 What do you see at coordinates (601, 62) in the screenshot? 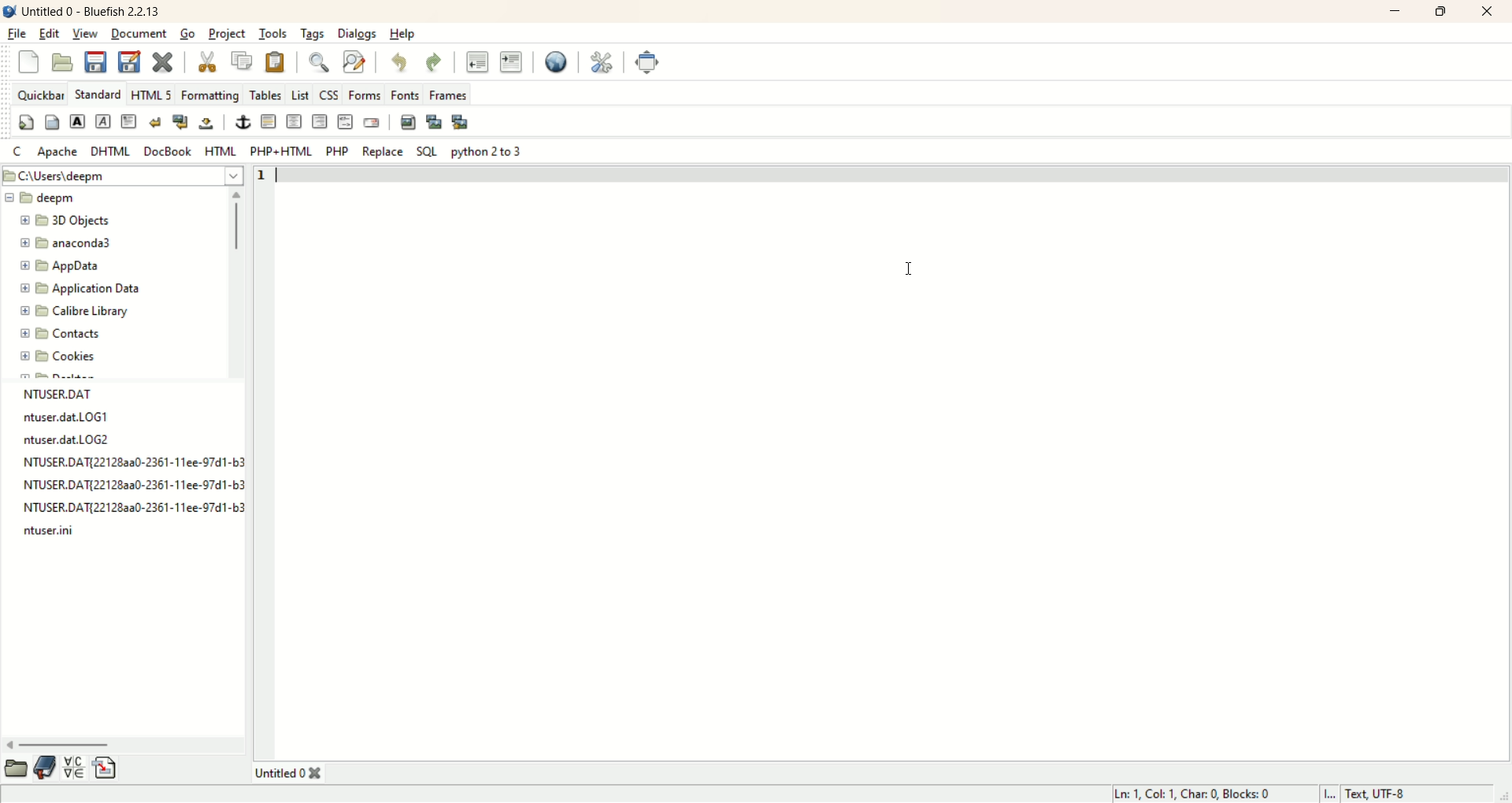
I see `edit preferences` at bounding box center [601, 62].